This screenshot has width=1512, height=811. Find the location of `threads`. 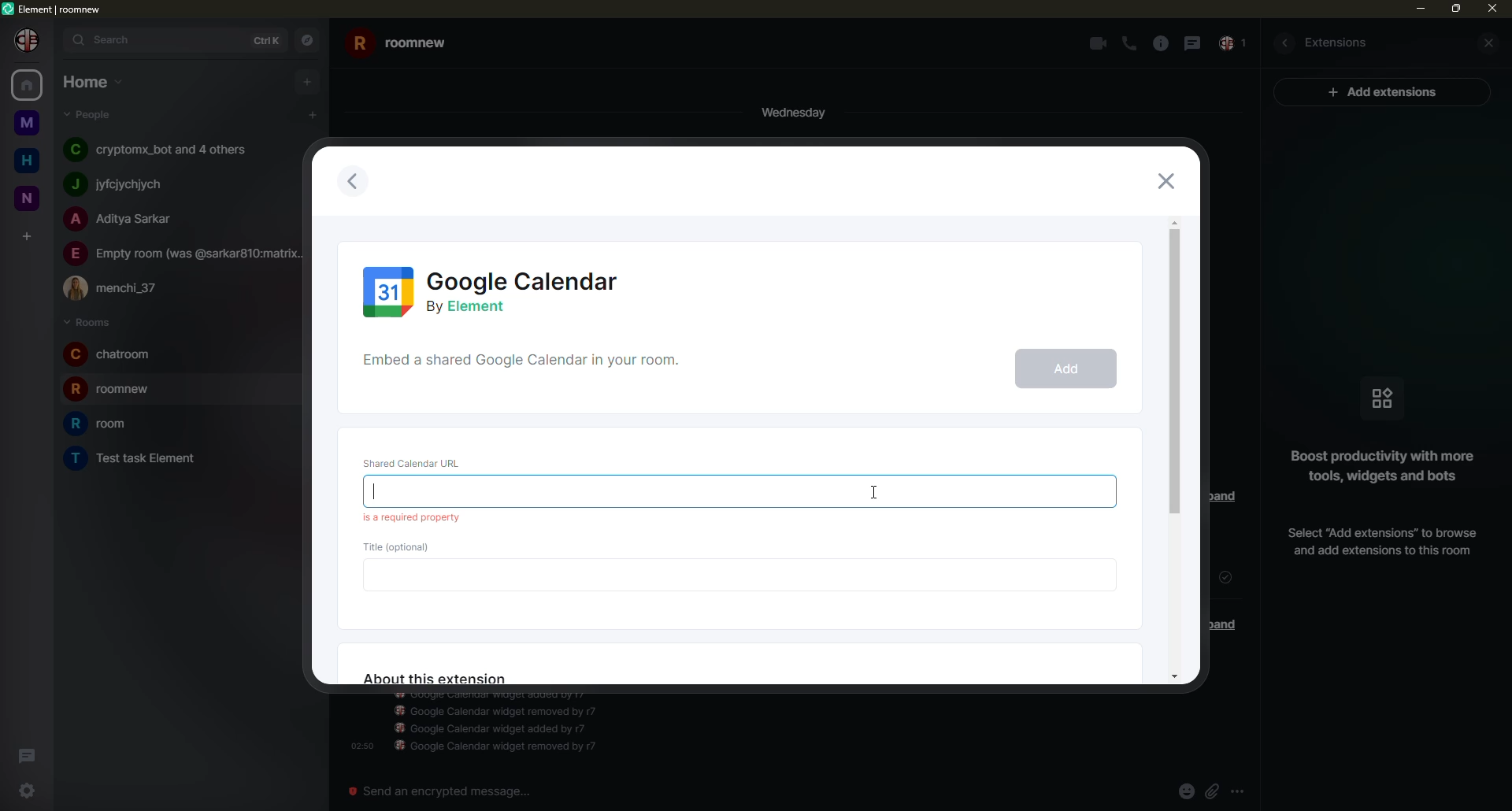

threads is located at coordinates (25, 753).